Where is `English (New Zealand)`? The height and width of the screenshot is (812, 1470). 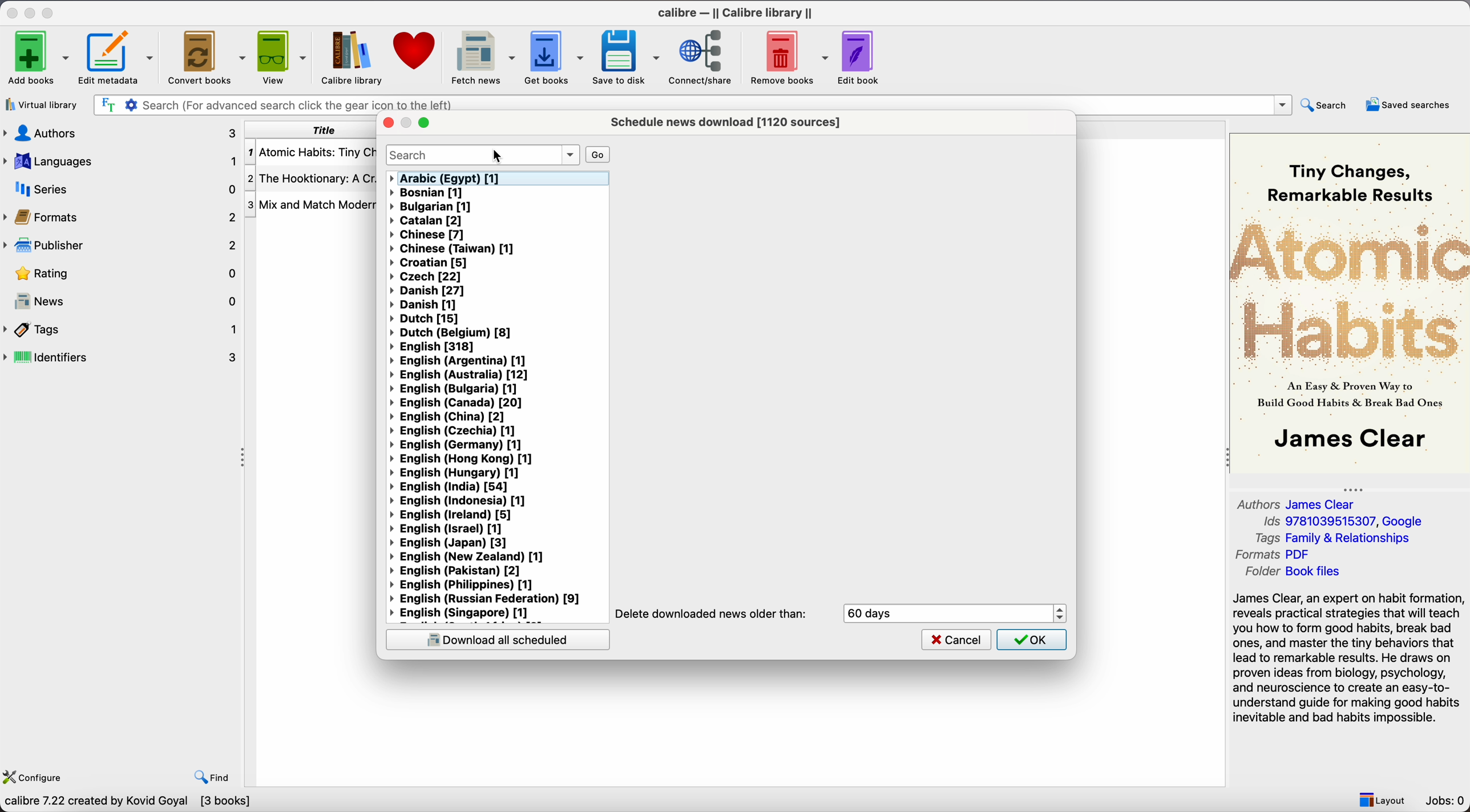 English (New Zealand) is located at coordinates (473, 558).